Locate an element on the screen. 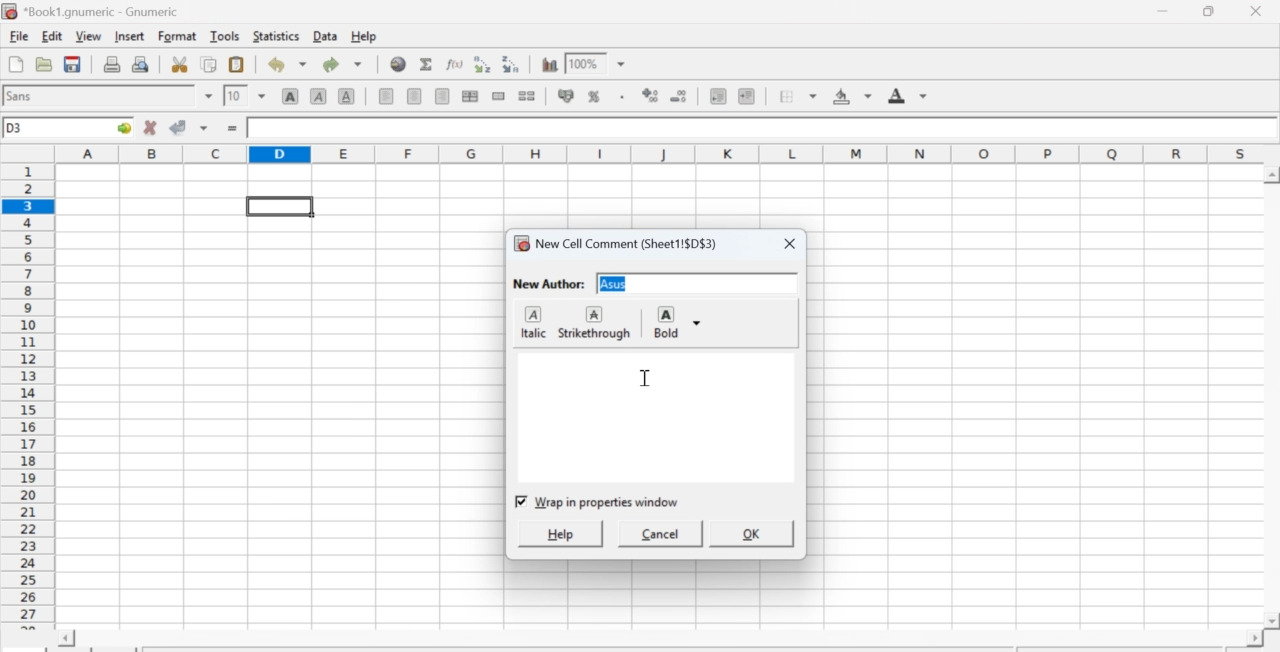  Accept change is located at coordinates (177, 127).